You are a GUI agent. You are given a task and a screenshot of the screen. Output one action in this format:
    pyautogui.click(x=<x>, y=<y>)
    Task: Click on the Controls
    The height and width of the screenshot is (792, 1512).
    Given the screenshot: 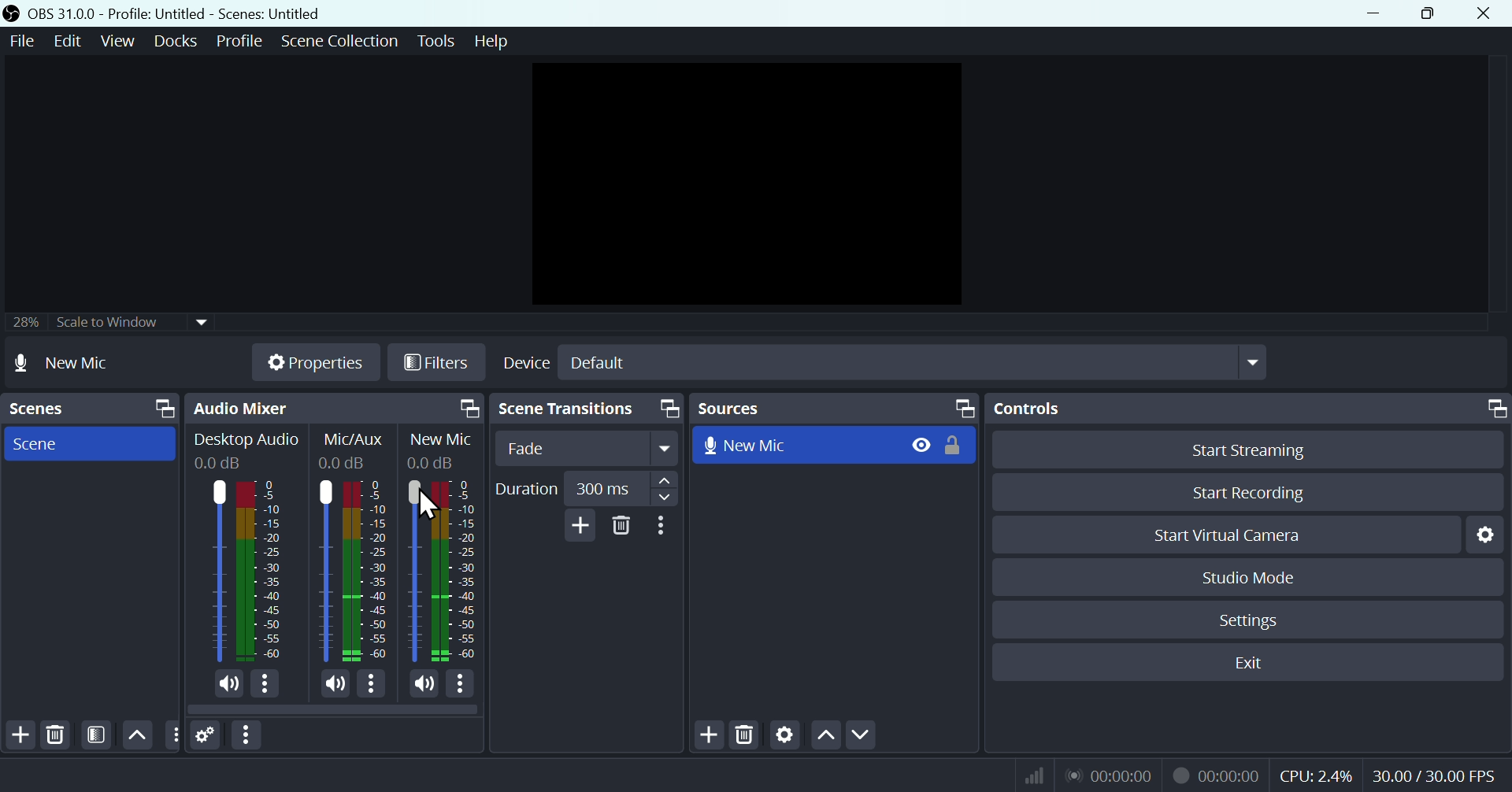 What is the action you would take?
    pyautogui.click(x=1251, y=409)
    